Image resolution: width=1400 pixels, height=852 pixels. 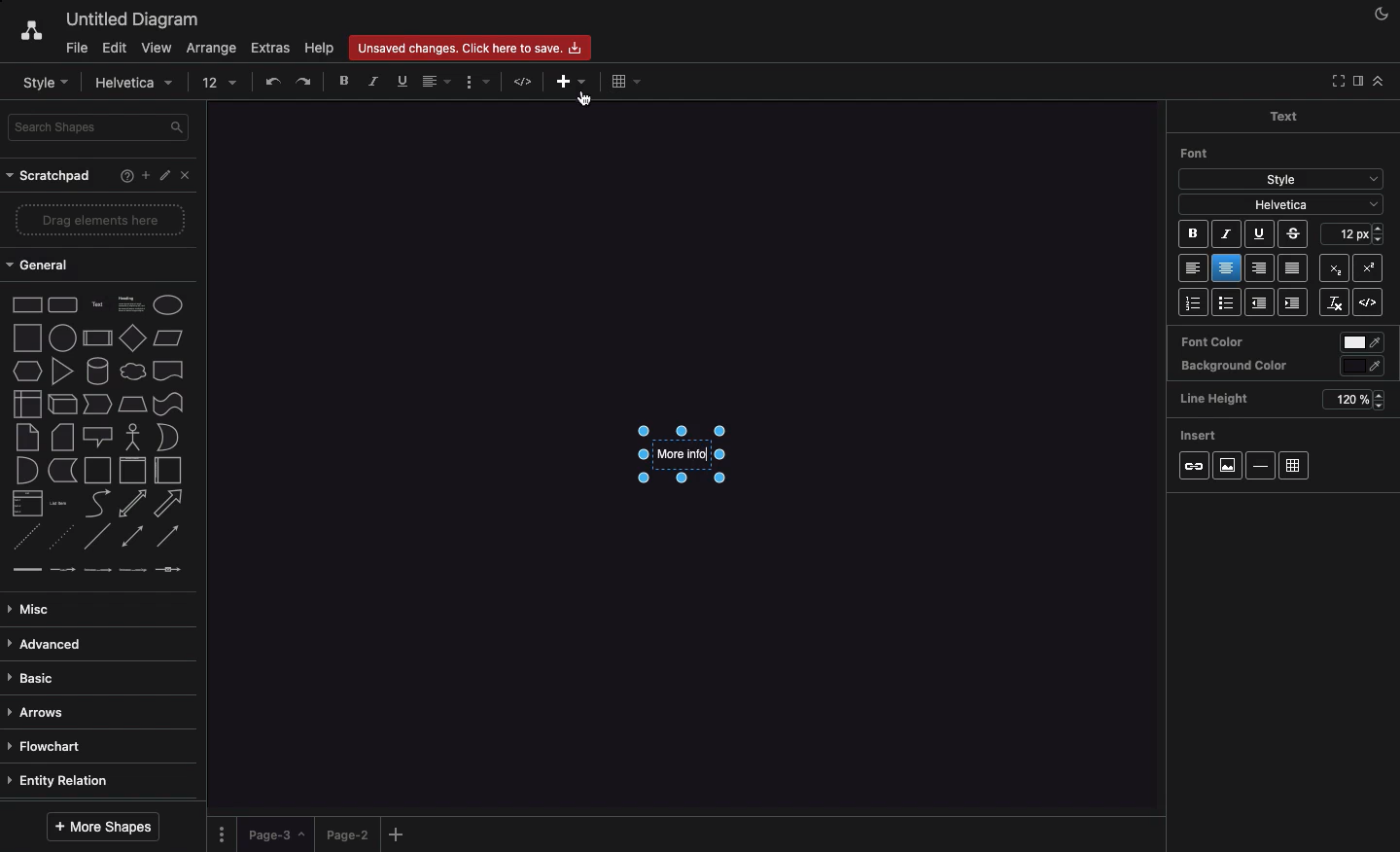 I want to click on Add, so click(x=400, y=834).